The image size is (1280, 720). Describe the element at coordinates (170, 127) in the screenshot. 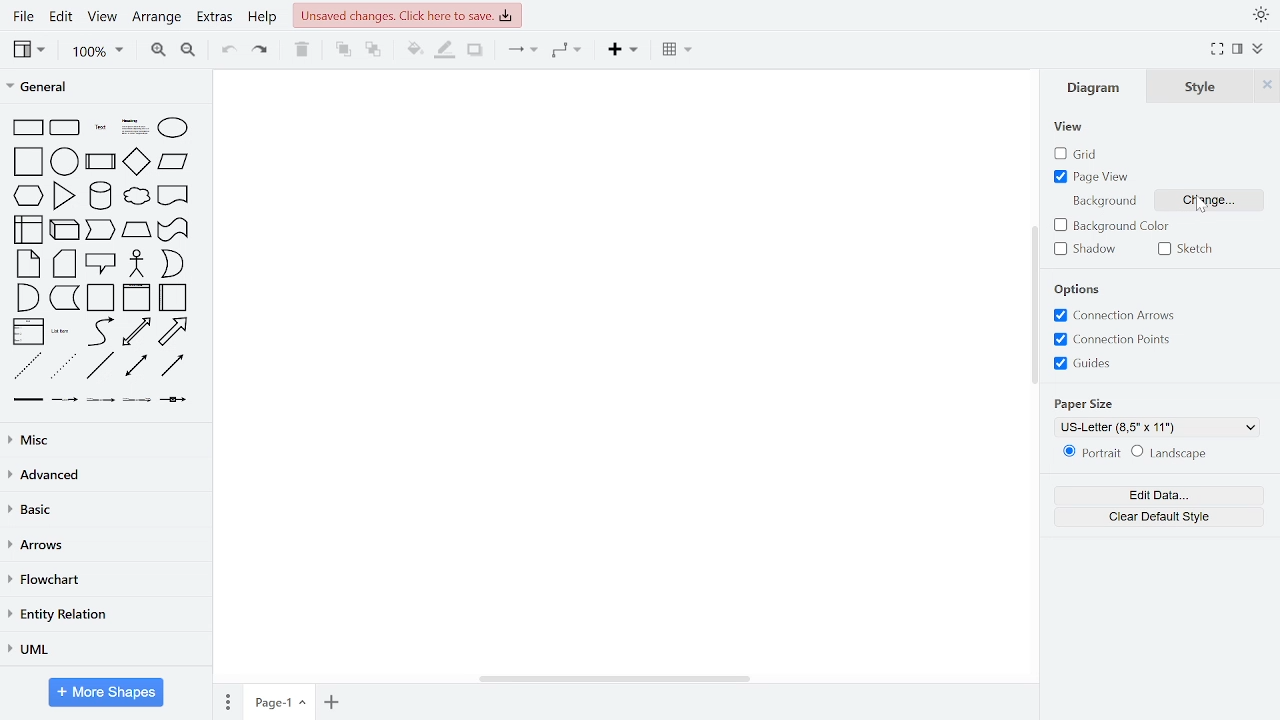

I see `general shapes` at that location.